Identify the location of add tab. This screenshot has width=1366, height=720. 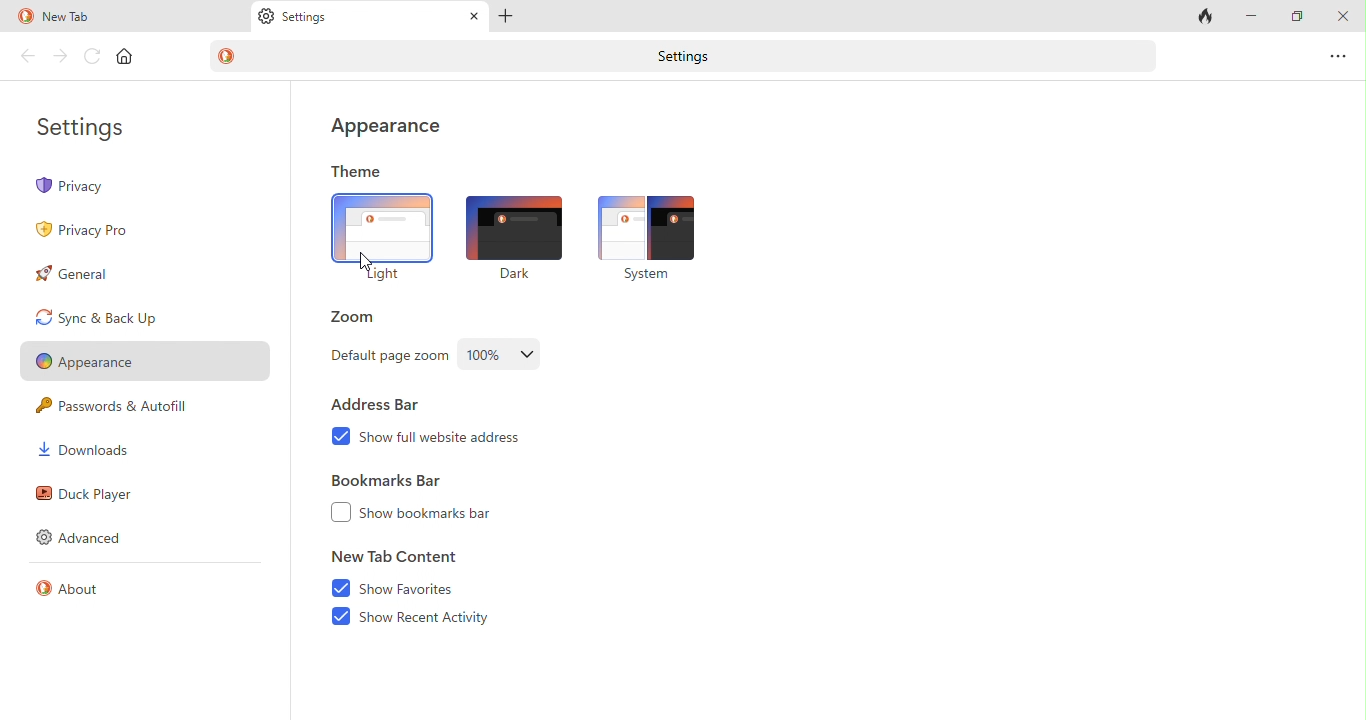
(510, 16).